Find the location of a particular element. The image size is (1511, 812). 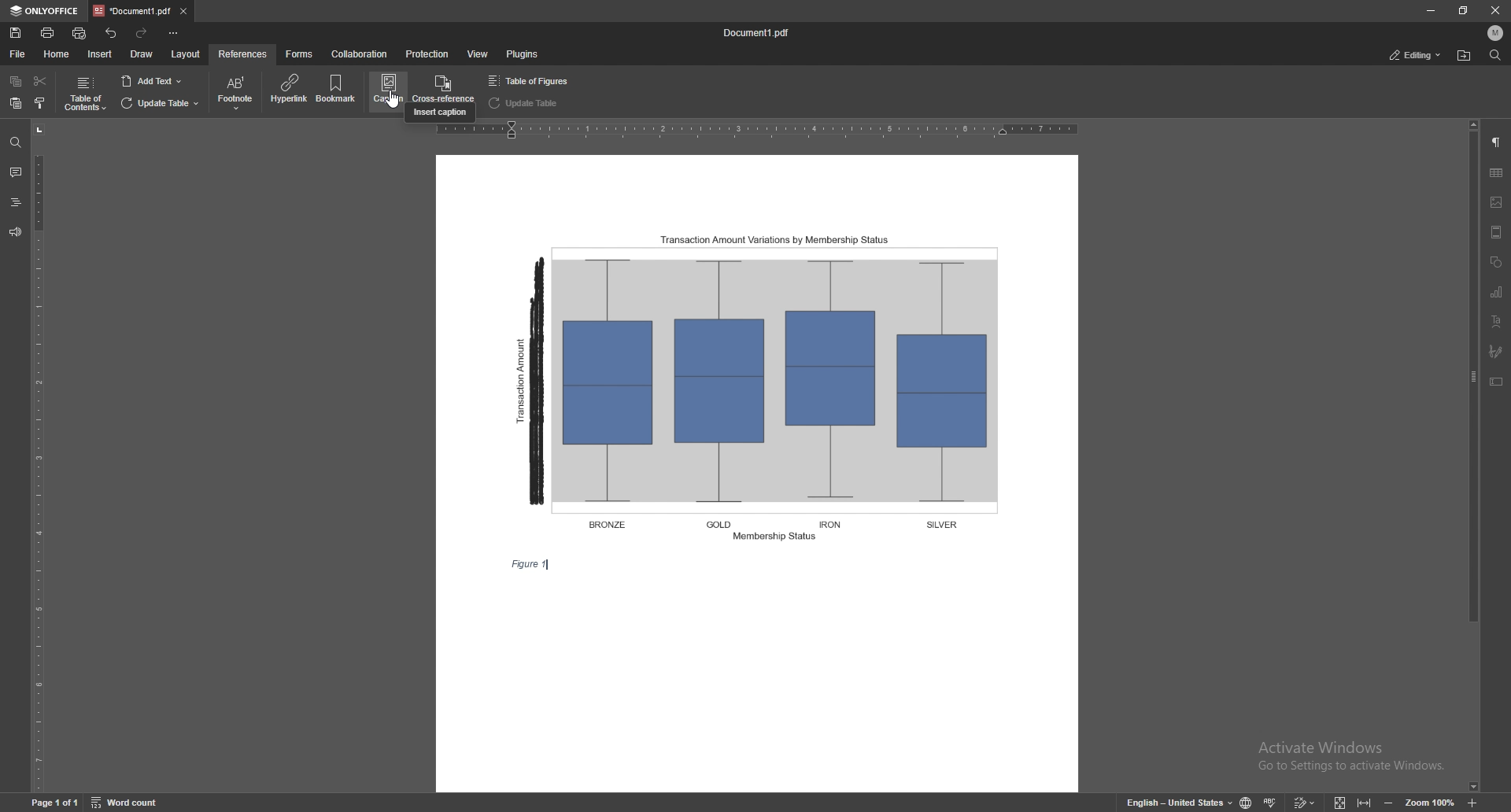

table of figures is located at coordinates (532, 81).